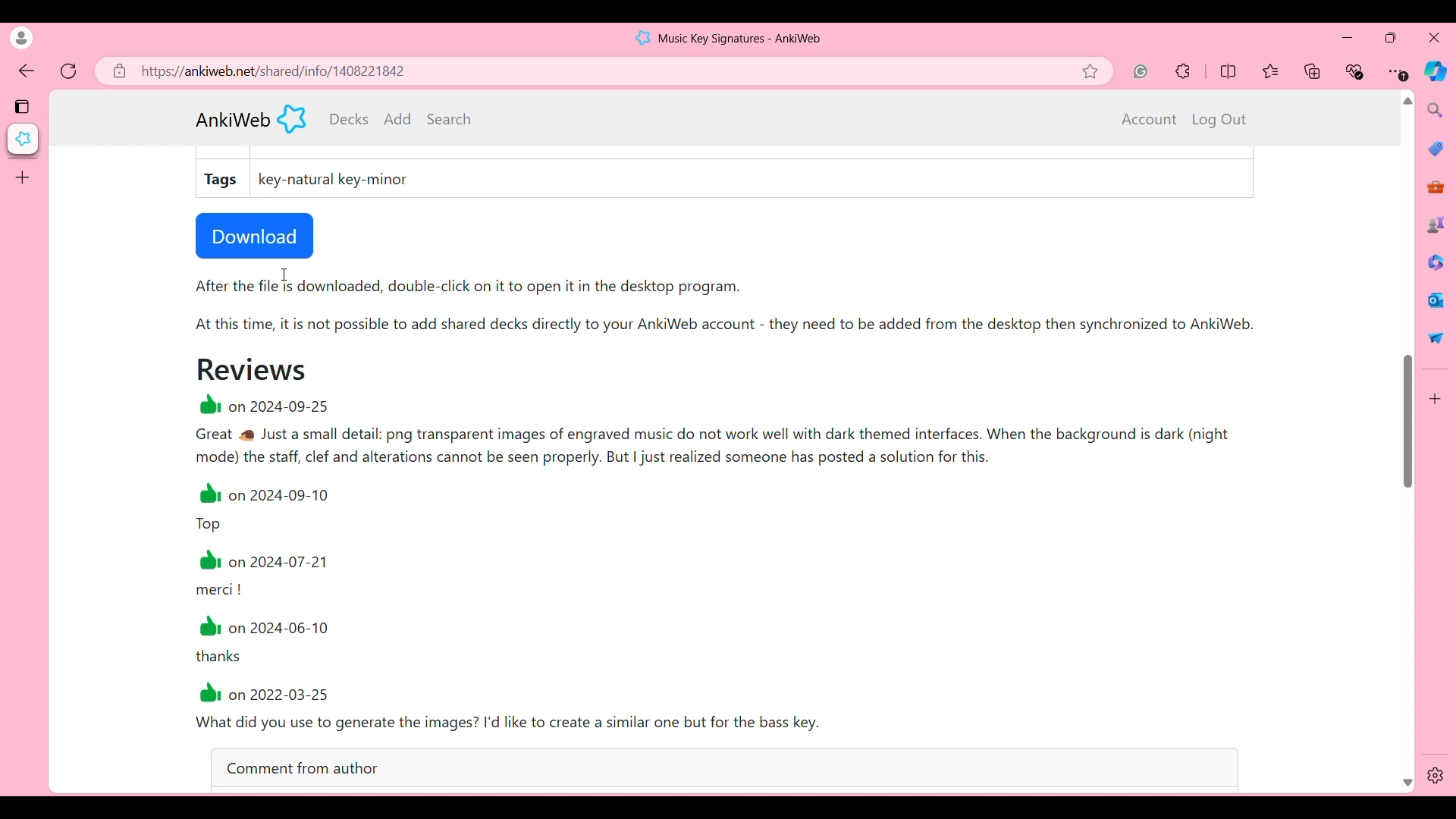  I want to click on After the file is downloaded, double-click on it to open it in the desktop program.
At this time, it is not possible to add shared decks directly to your AnkiWeb account - they need to be added from the desktop then synchronized to AnkiWeb., so click(740, 312).